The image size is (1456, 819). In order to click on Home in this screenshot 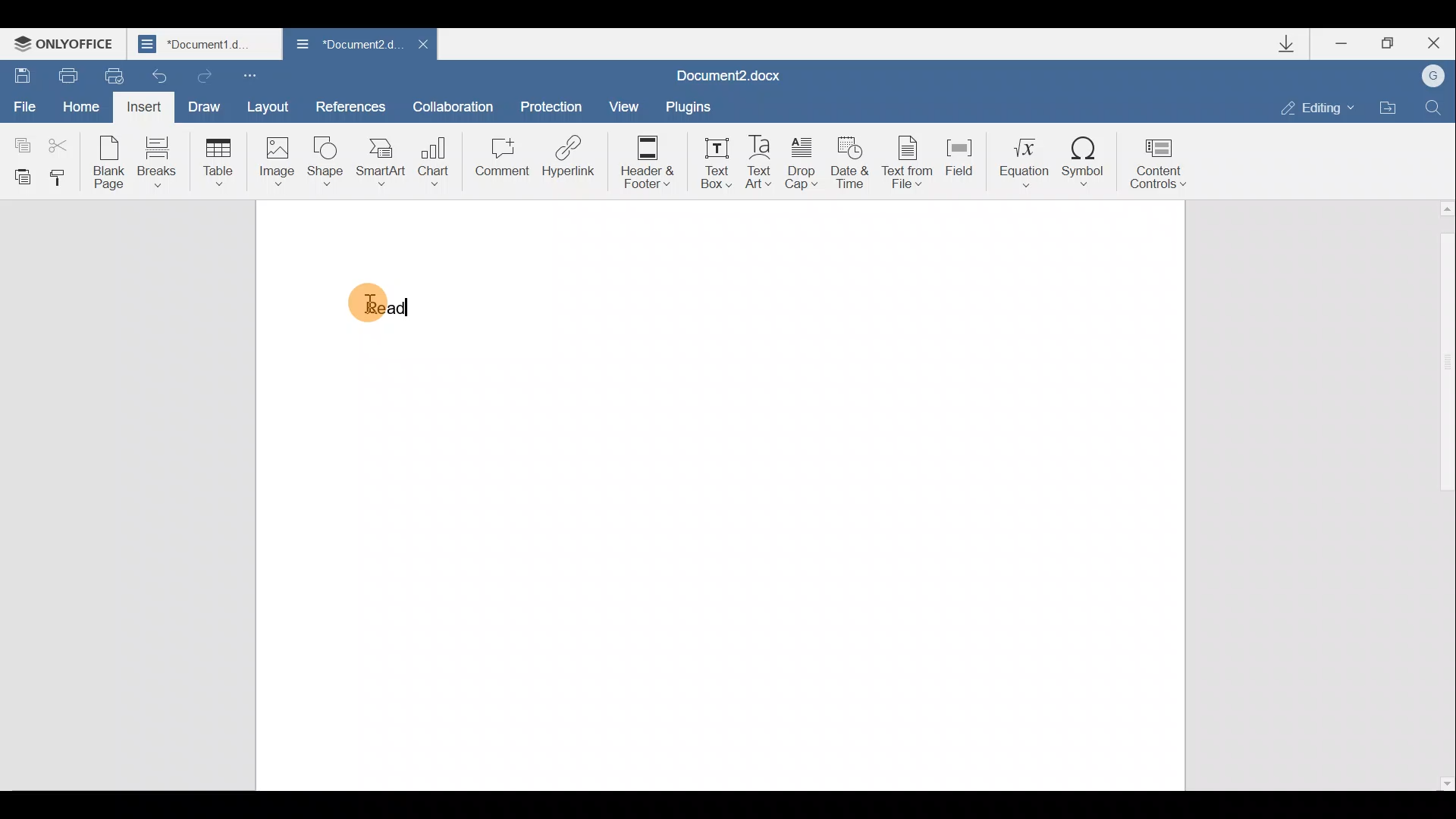, I will do `click(78, 103)`.